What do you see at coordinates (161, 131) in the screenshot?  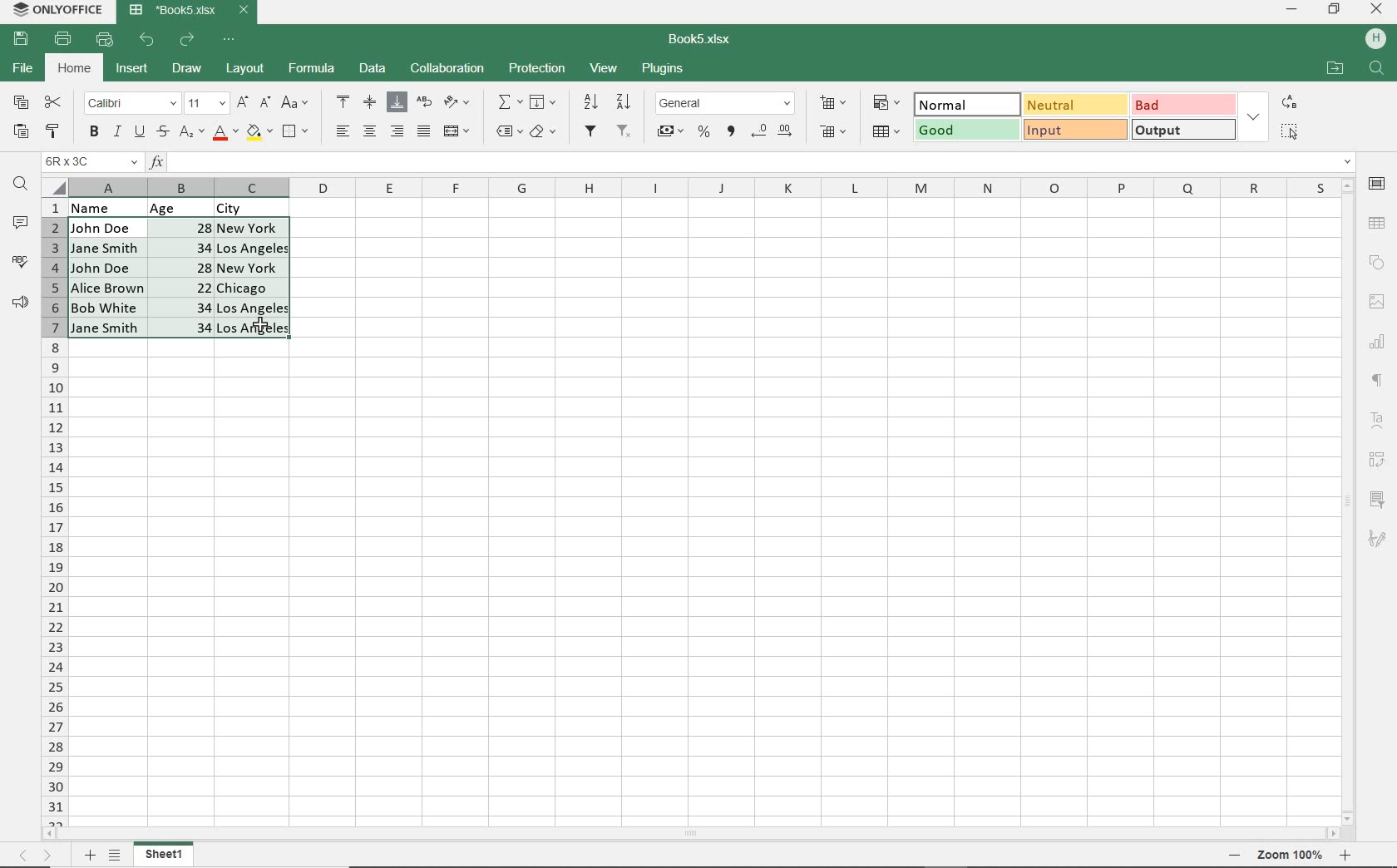 I see `STRIKETHROUGH` at bounding box center [161, 131].